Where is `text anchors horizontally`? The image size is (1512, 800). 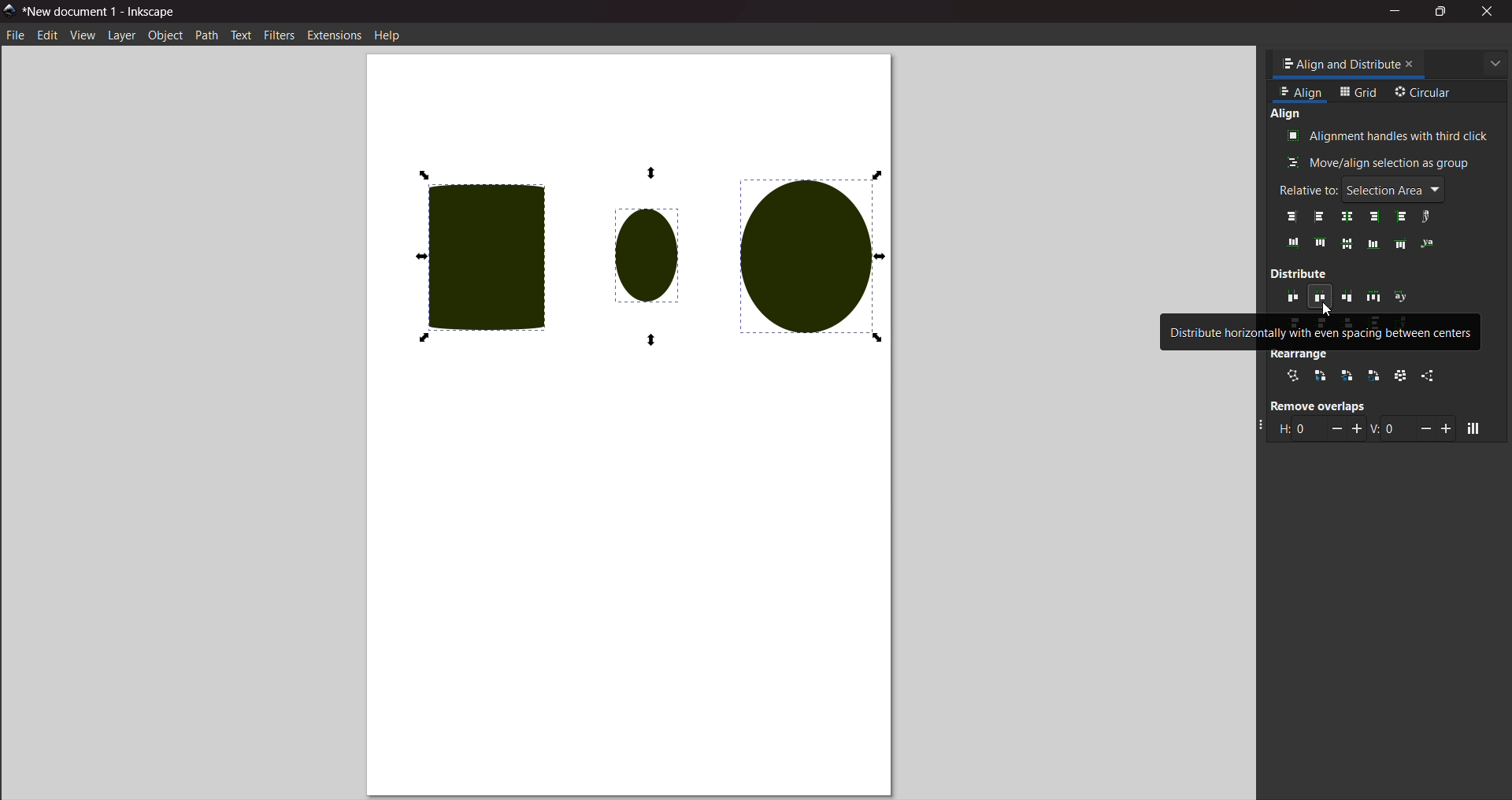
text anchors horizontally is located at coordinates (1432, 217).